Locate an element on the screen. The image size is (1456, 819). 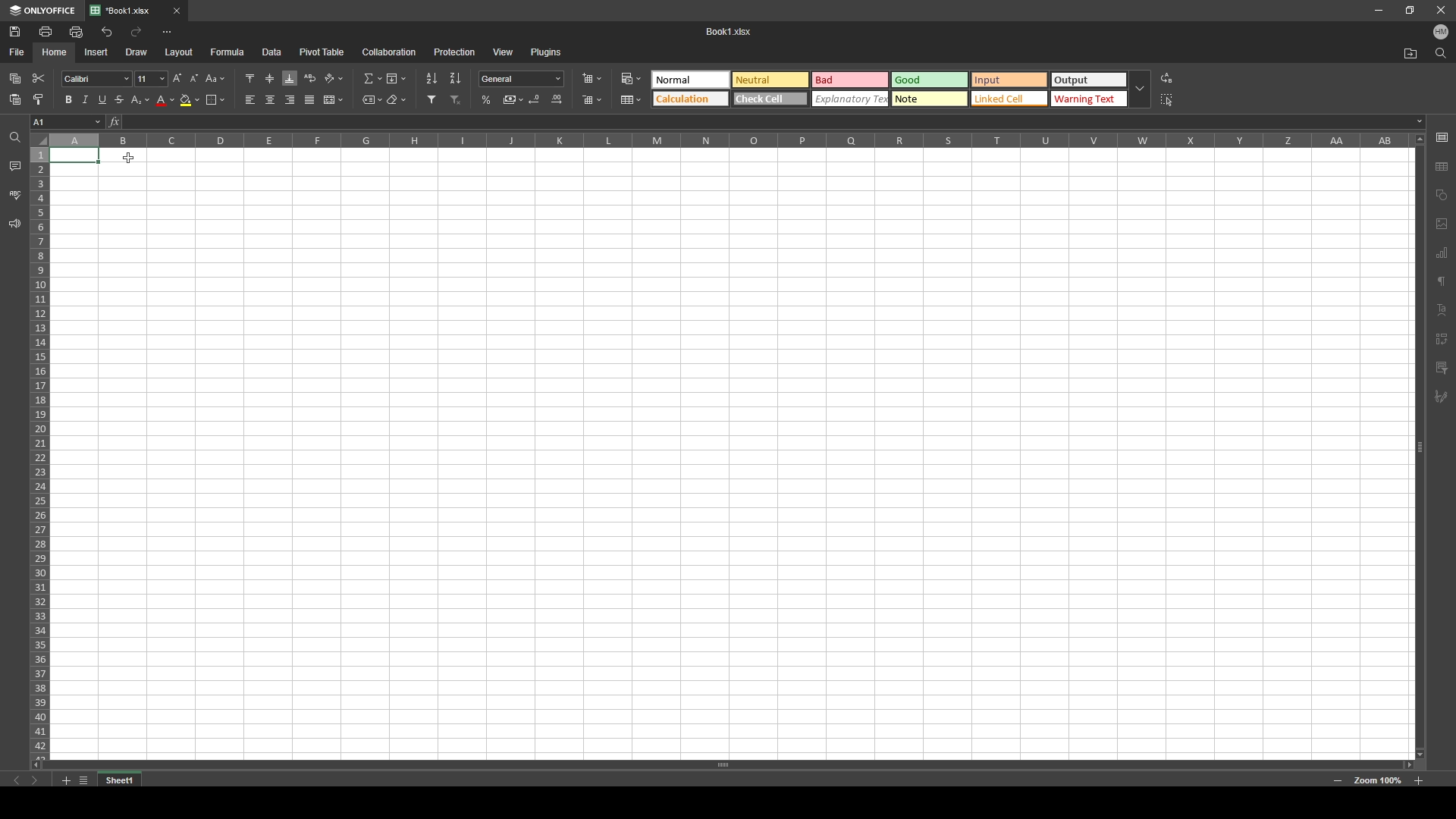
tab is located at coordinates (126, 779).